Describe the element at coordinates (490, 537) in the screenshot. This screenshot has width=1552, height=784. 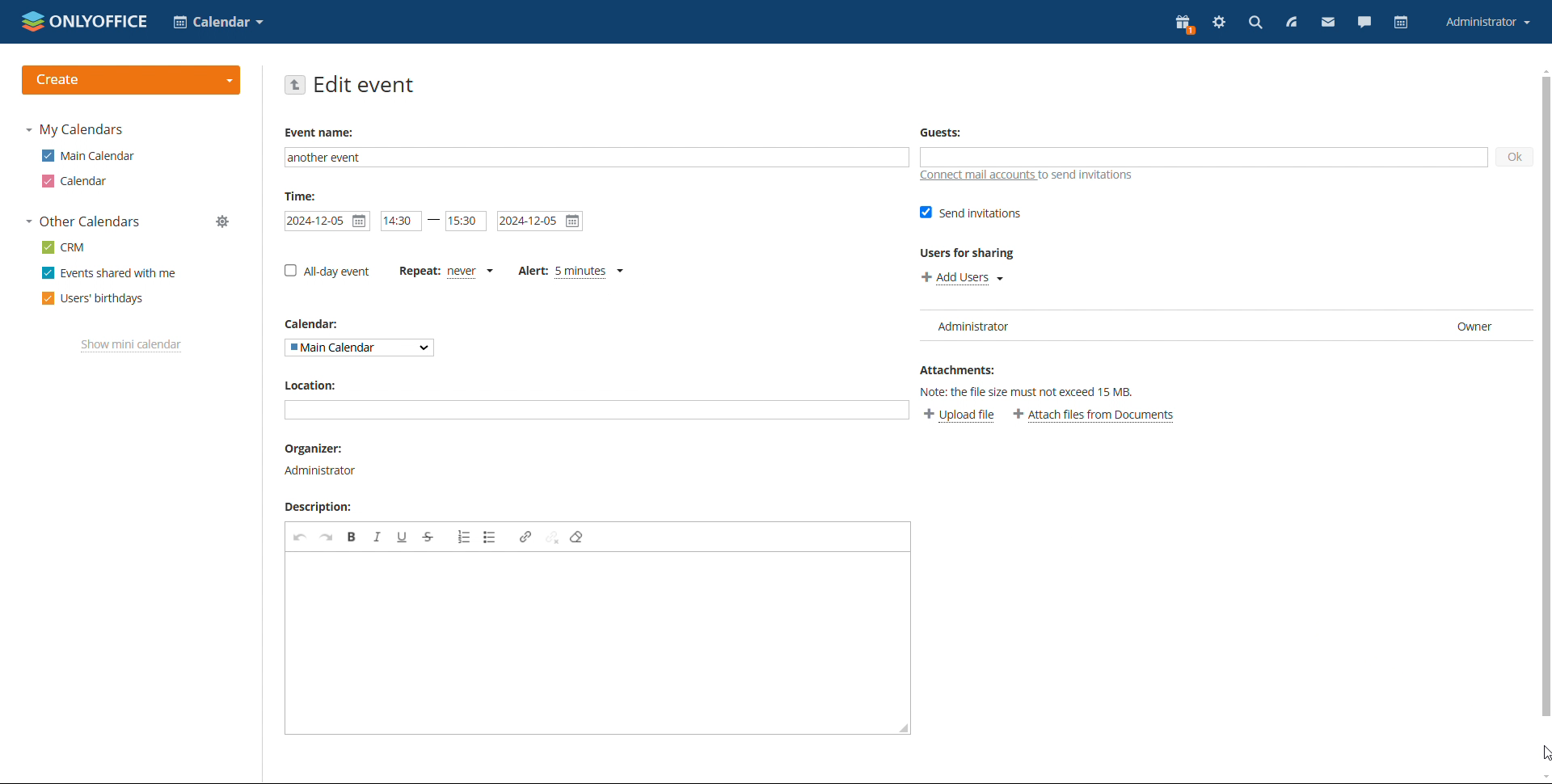
I see `insert/remove bulleted list` at that location.